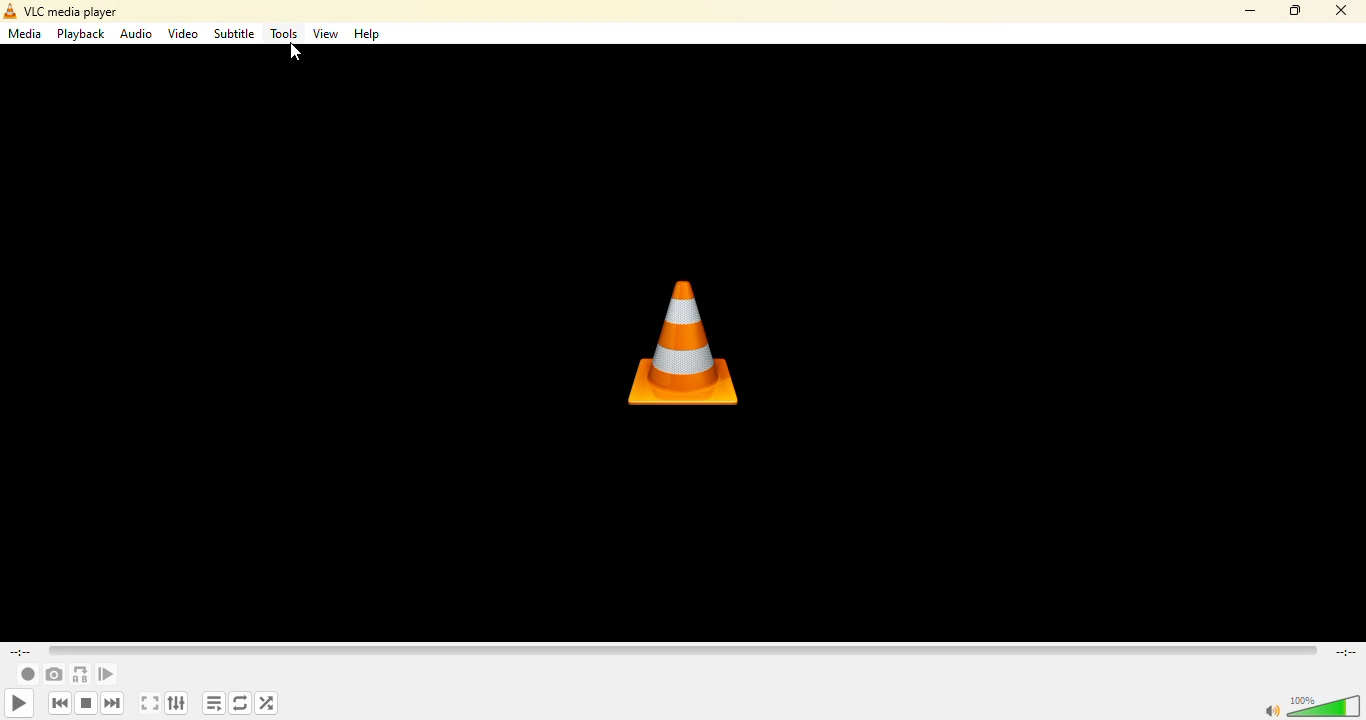  Describe the element at coordinates (53, 674) in the screenshot. I see `take a snapshot` at that location.